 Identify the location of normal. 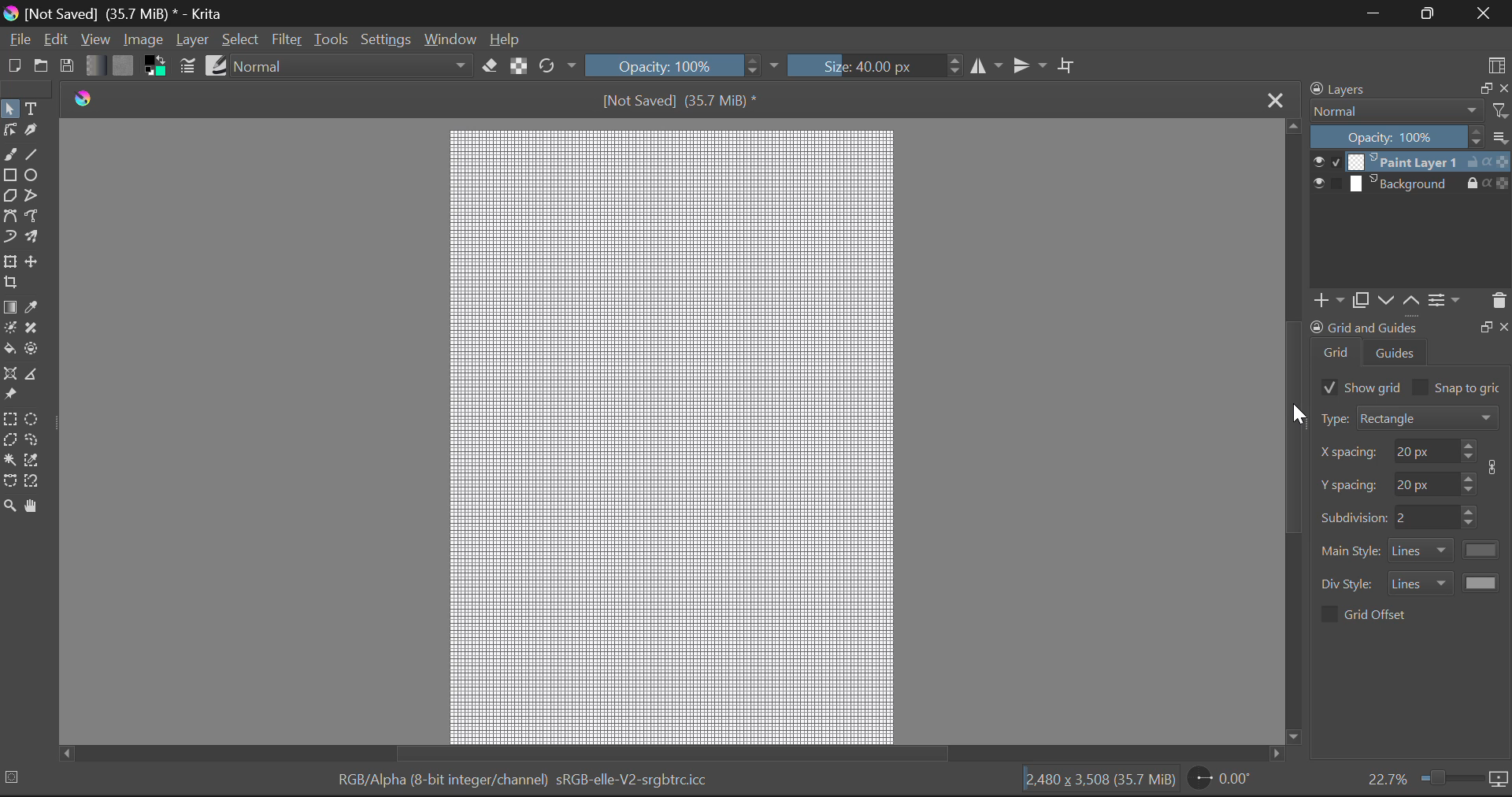
(1396, 110).